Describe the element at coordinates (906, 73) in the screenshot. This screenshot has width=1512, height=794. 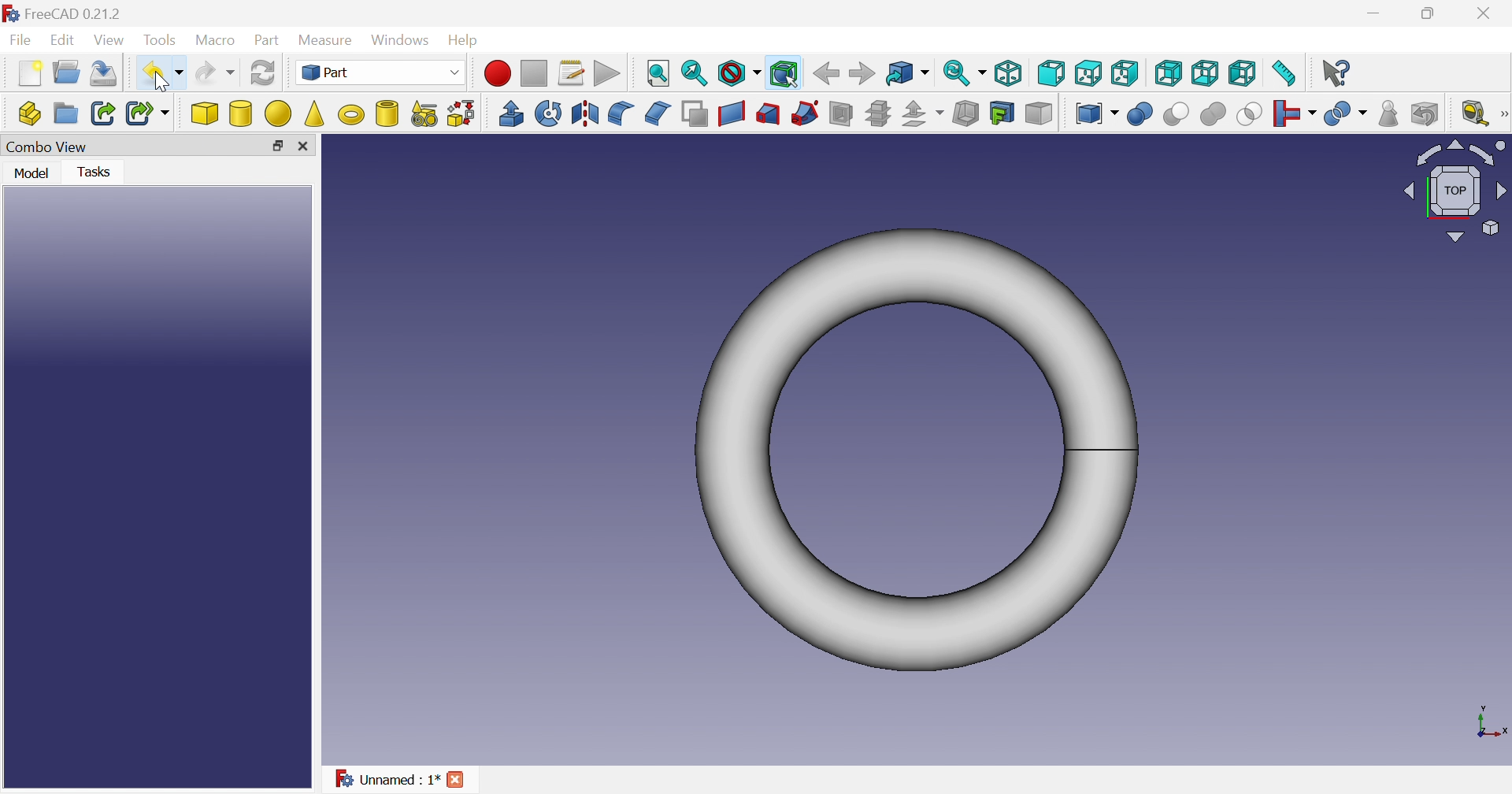
I see `Go to link object` at that location.